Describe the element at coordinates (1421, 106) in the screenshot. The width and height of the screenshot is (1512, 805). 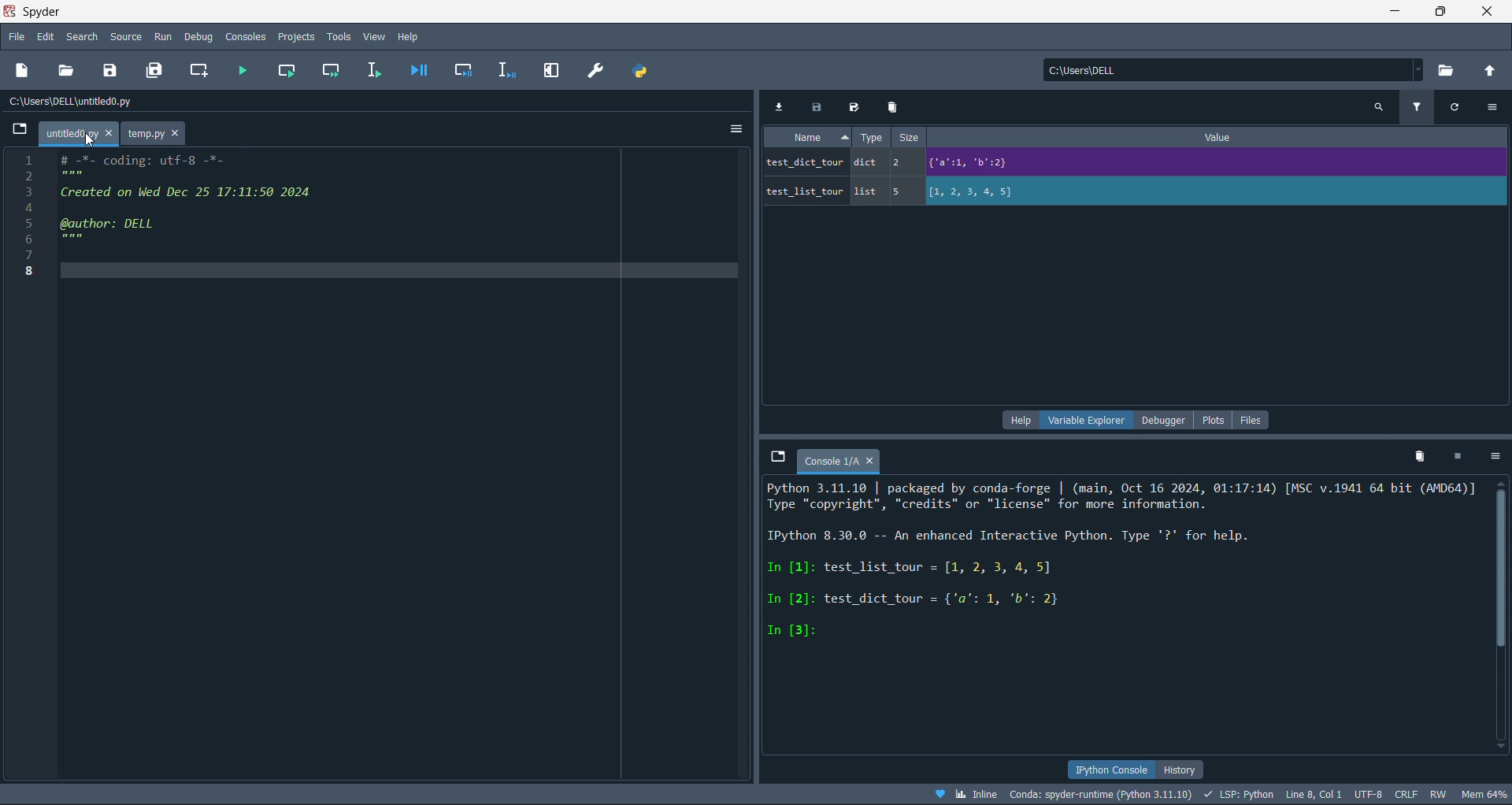
I see `filter ` at that location.